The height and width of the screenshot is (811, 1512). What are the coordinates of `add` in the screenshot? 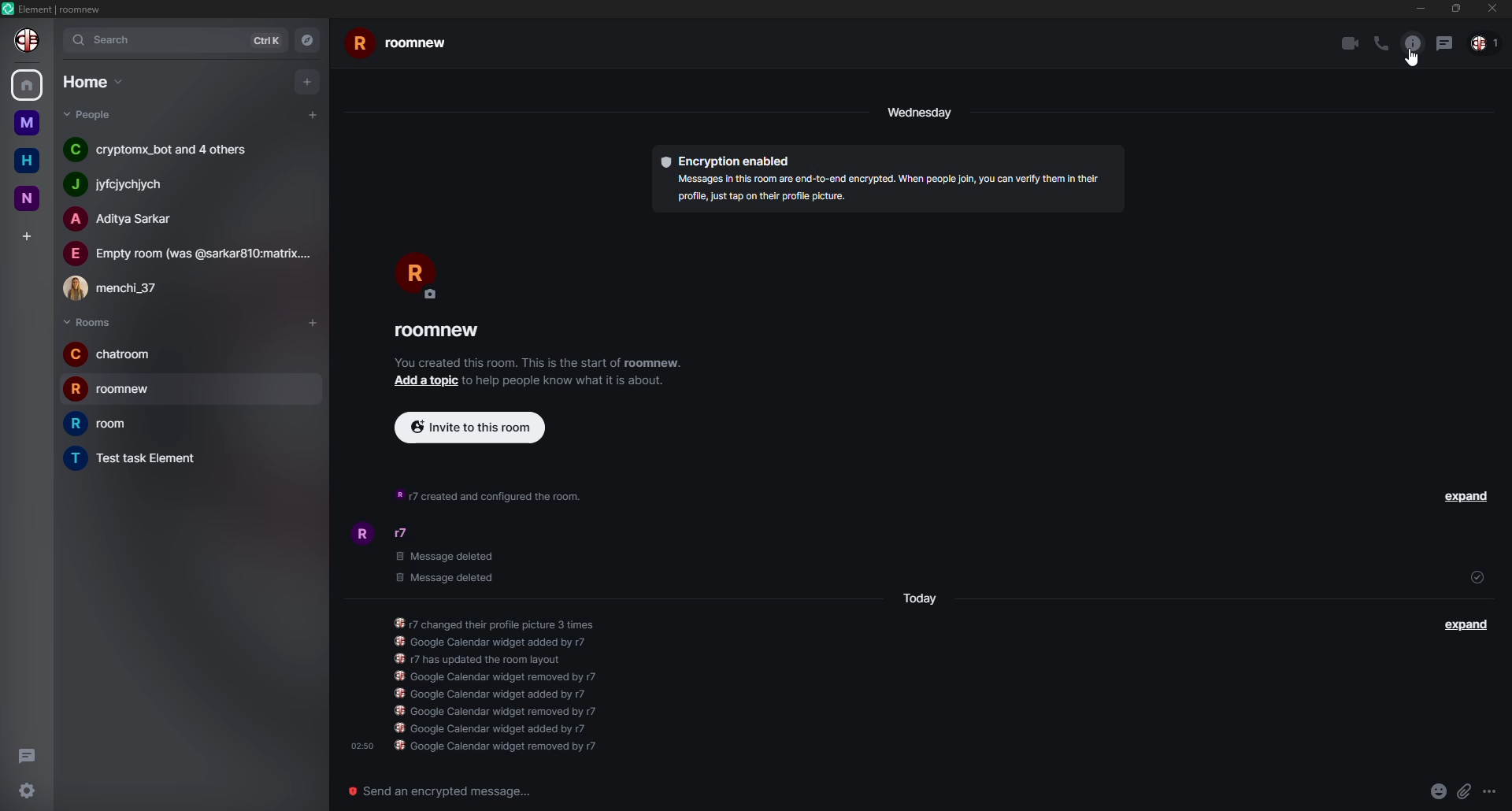 It's located at (423, 380).